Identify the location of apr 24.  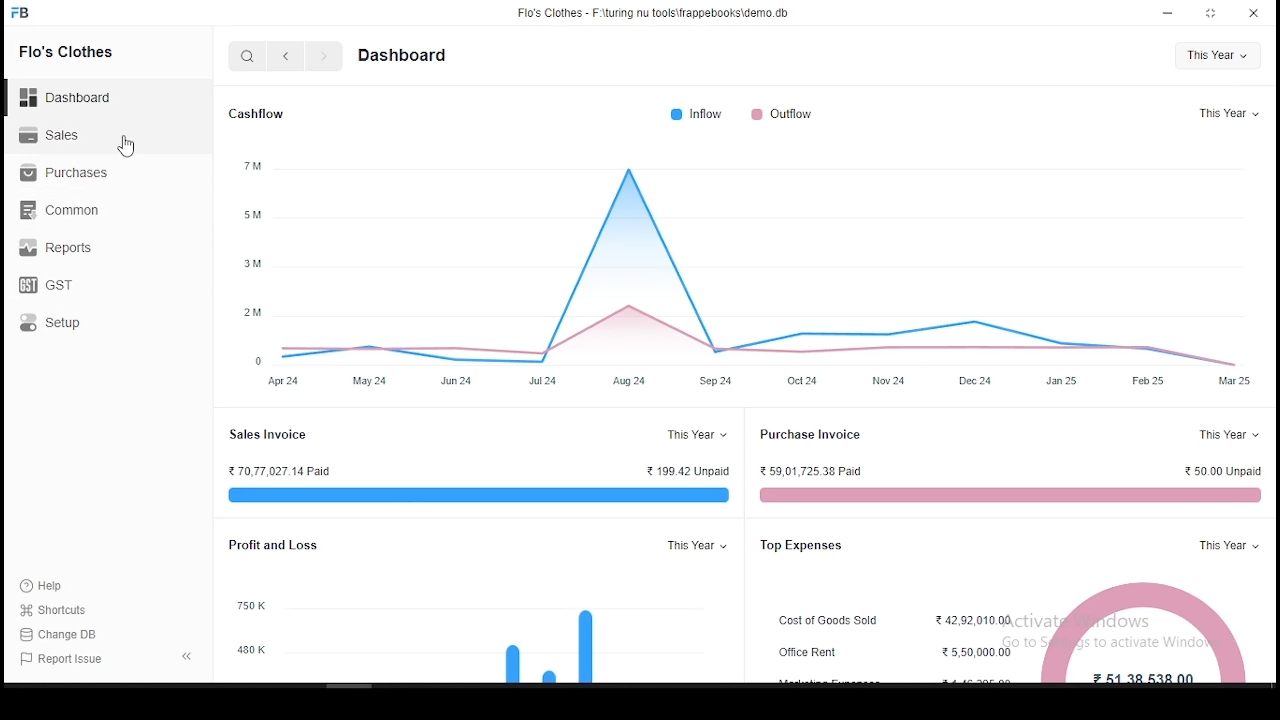
(277, 382).